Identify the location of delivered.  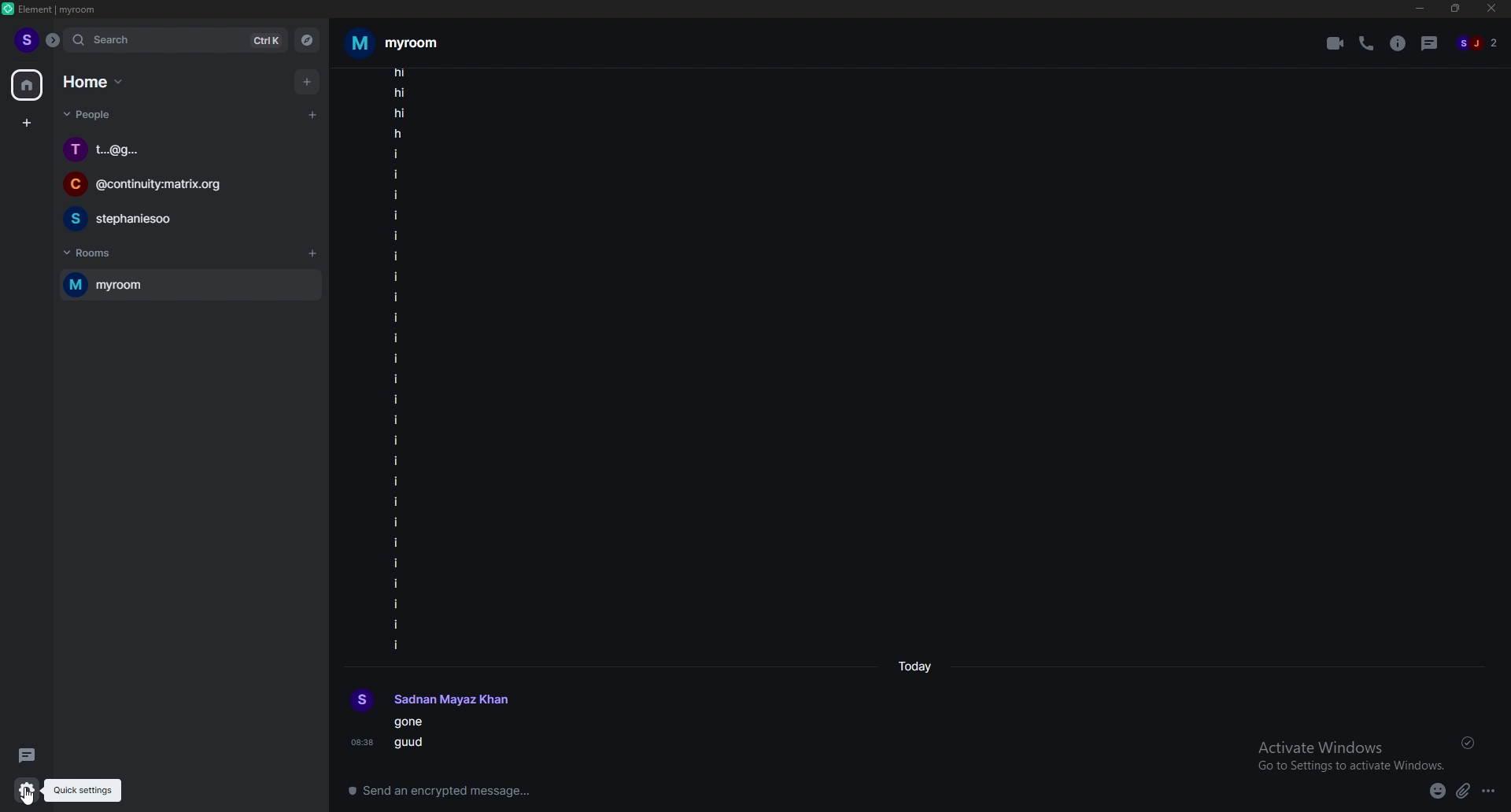
(1469, 742).